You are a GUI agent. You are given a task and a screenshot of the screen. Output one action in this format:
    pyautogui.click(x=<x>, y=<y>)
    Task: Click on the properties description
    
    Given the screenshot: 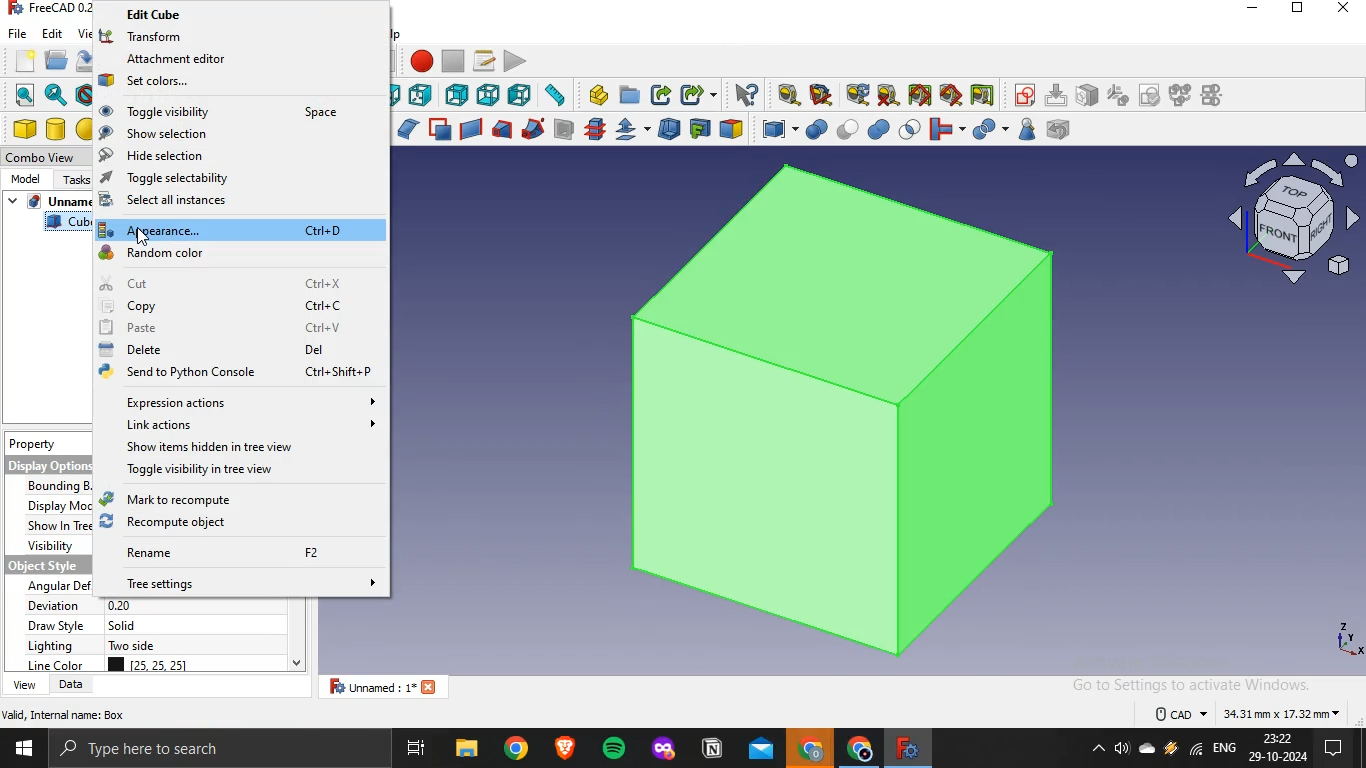 What is the action you would take?
    pyautogui.click(x=50, y=550)
    